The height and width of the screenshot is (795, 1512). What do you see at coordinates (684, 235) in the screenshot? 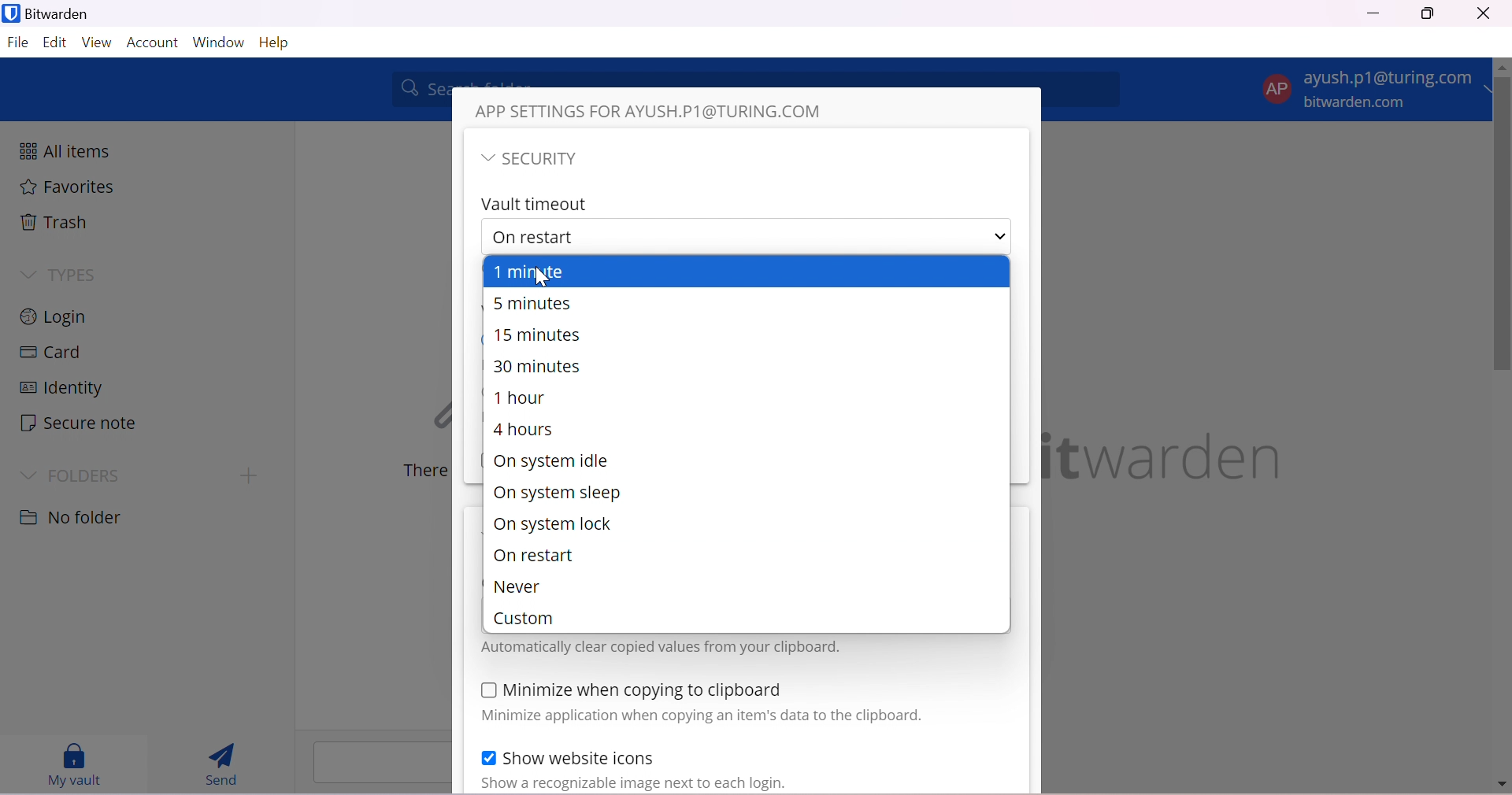
I see `vault timeout option` at bounding box center [684, 235].